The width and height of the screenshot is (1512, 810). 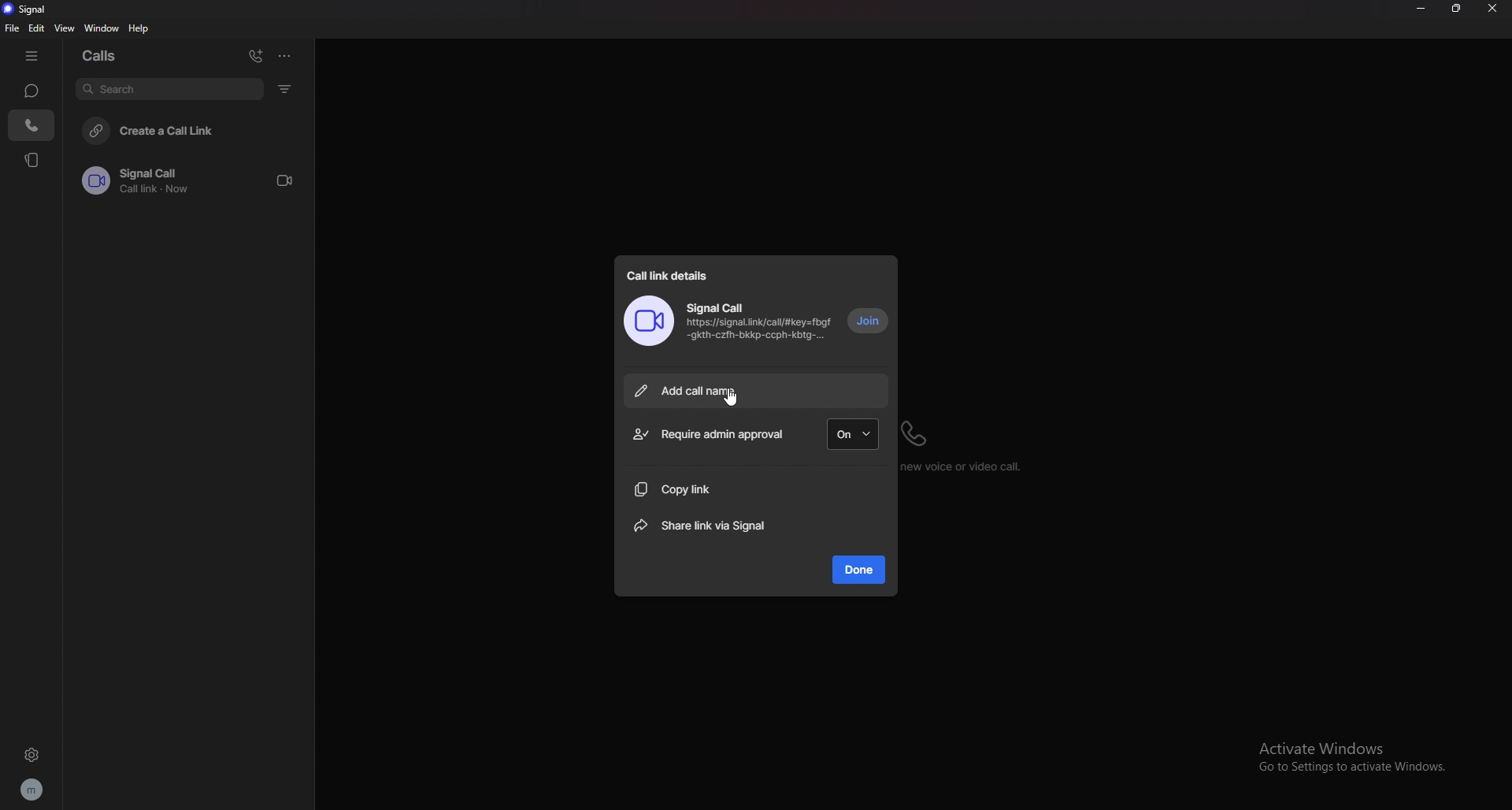 What do you see at coordinates (710, 489) in the screenshot?
I see `copy link` at bounding box center [710, 489].